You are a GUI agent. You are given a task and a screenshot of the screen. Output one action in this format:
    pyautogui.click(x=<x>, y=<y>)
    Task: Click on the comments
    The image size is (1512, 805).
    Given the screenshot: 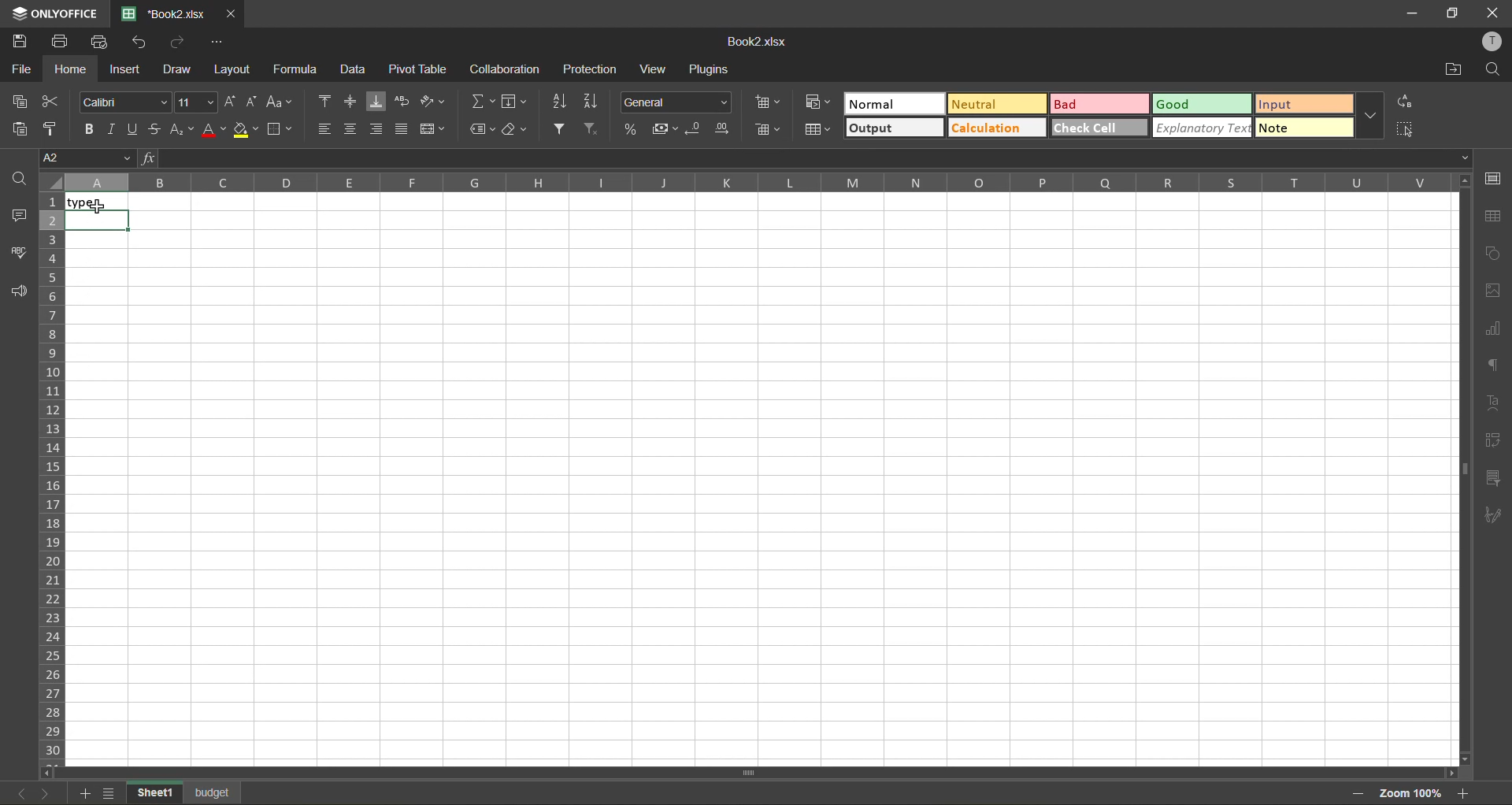 What is the action you would take?
    pyautogui.click(x=18, y=216)
    